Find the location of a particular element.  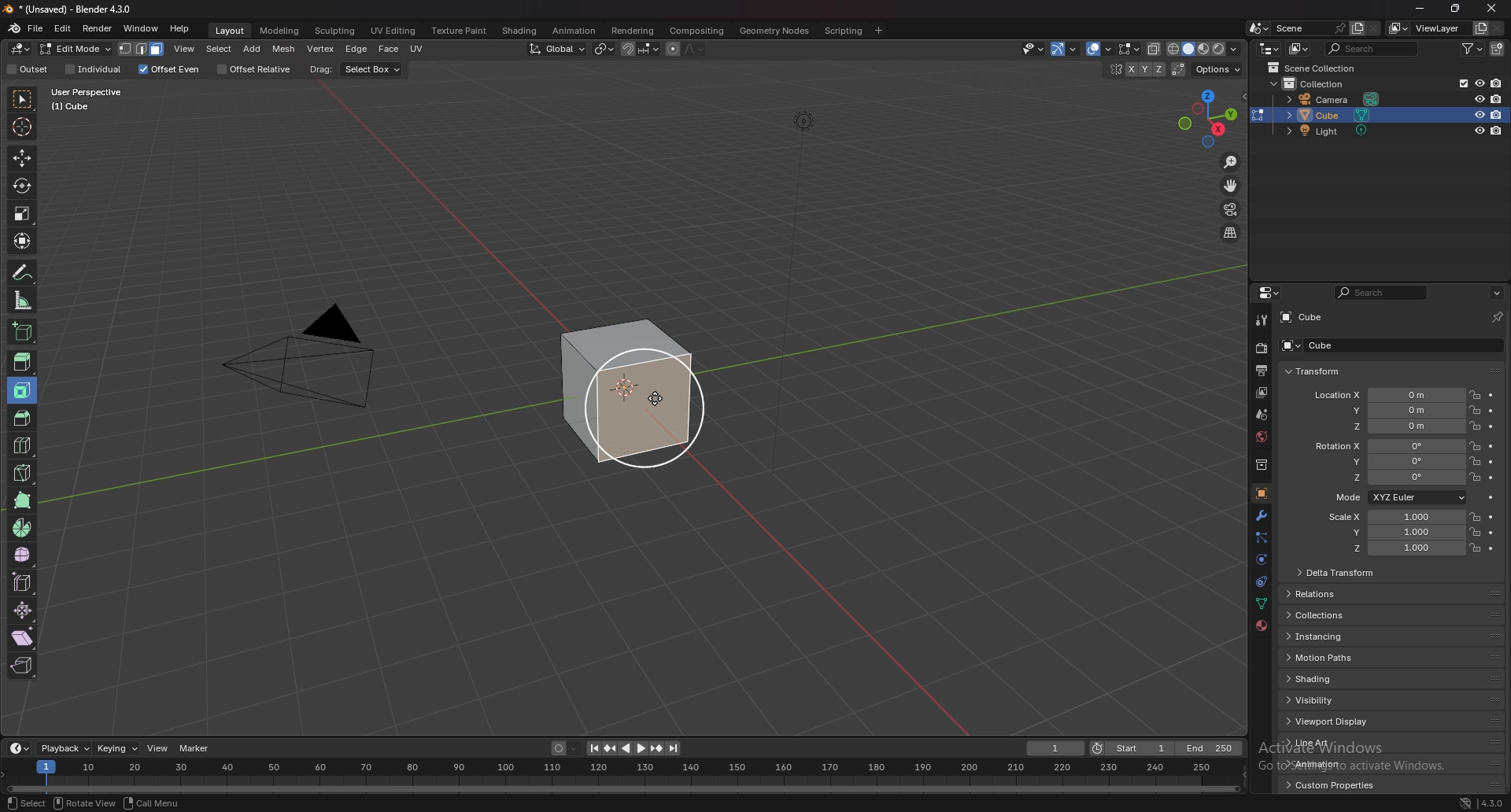

cursor is located at coordinates (21, 125).